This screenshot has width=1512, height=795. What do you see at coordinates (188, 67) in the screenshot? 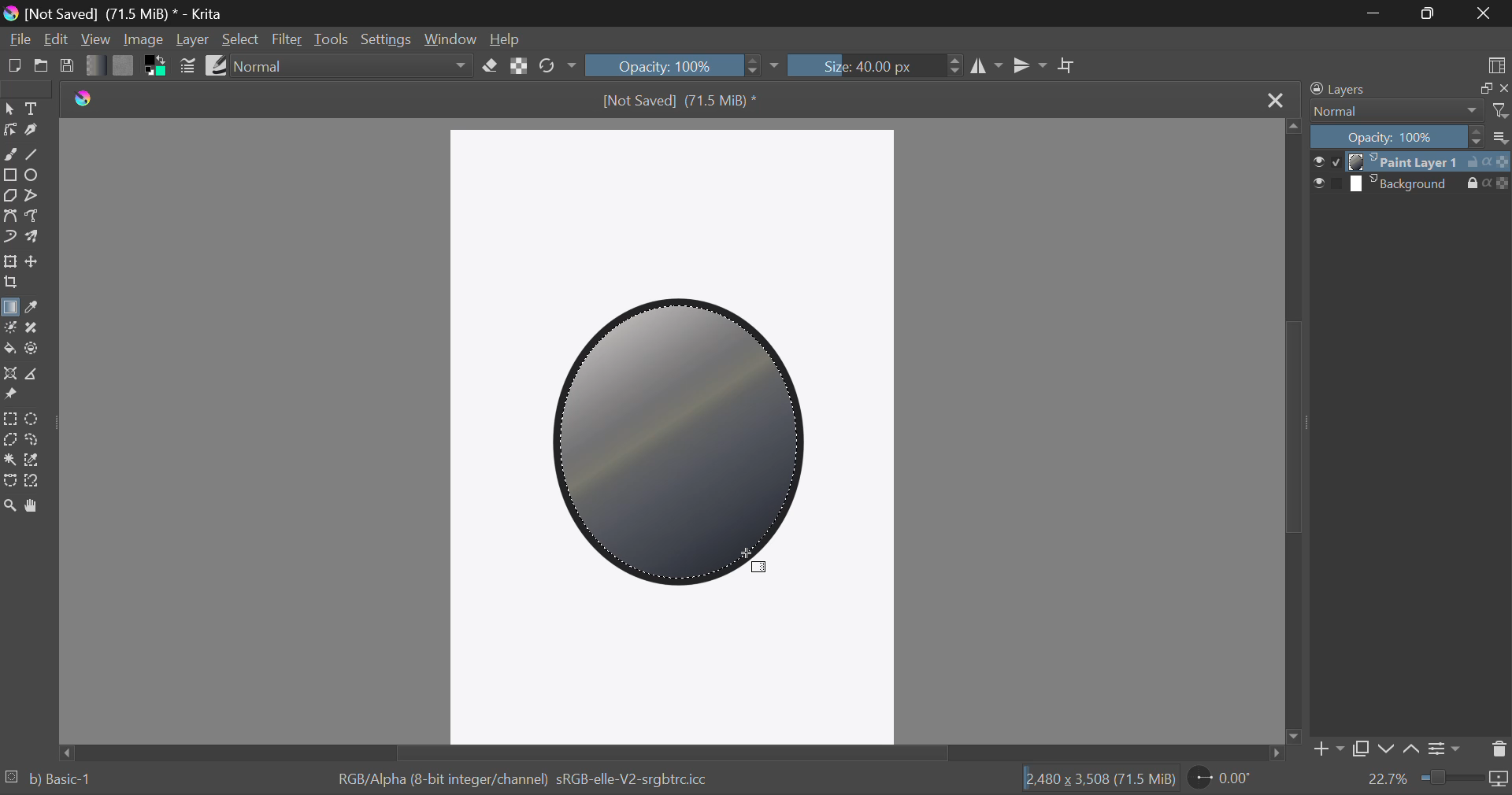
I see `Brush Settings` at bounding box center [188, 67].